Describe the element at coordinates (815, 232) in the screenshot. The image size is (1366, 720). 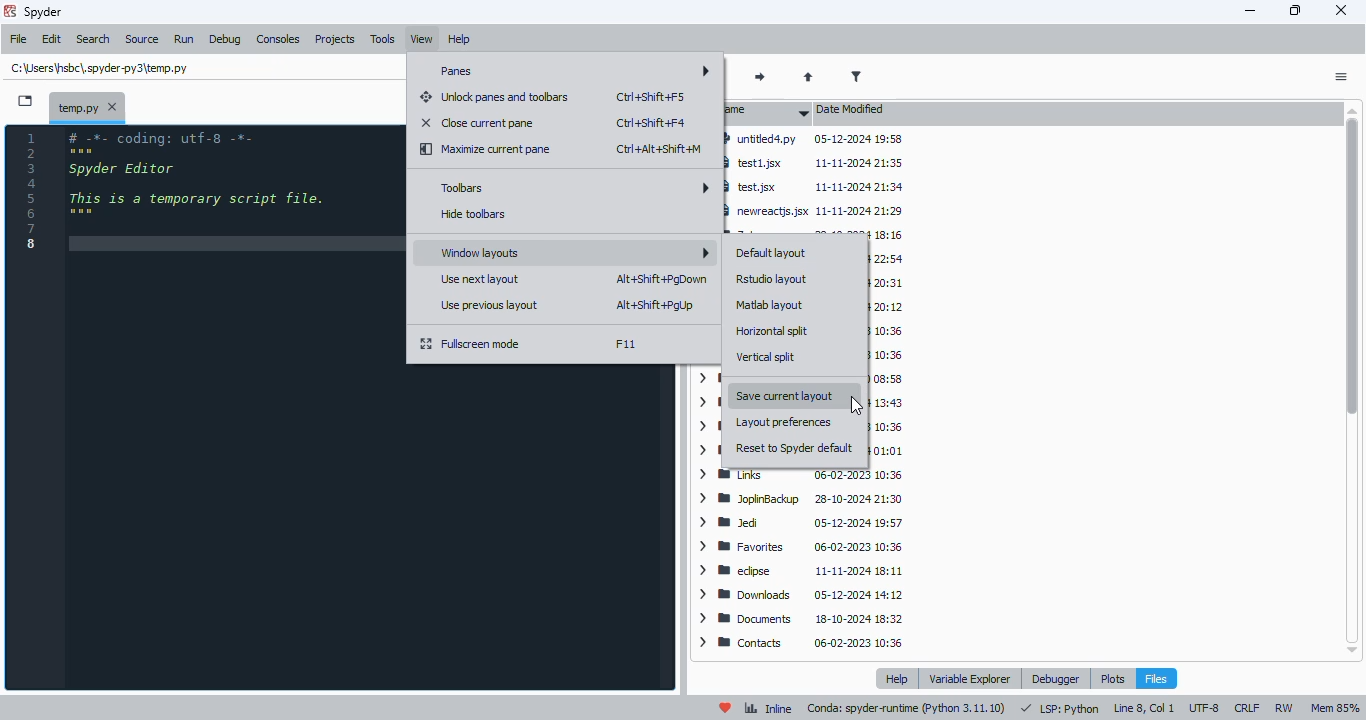
I see `Zotero` at that location.